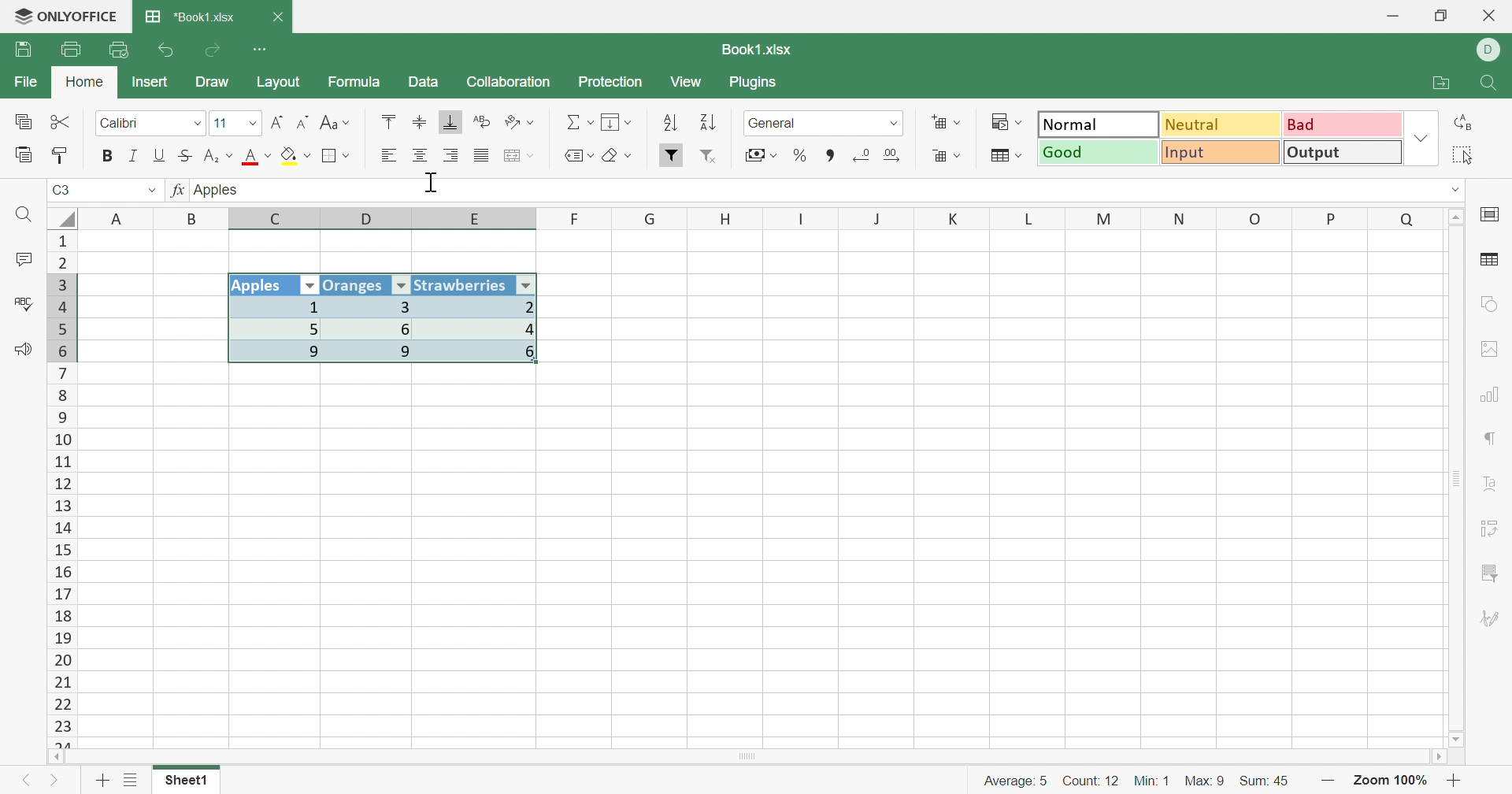  Describe the element at coordinates (706, 124) in the screenshot. I see `Descending order` at that location.